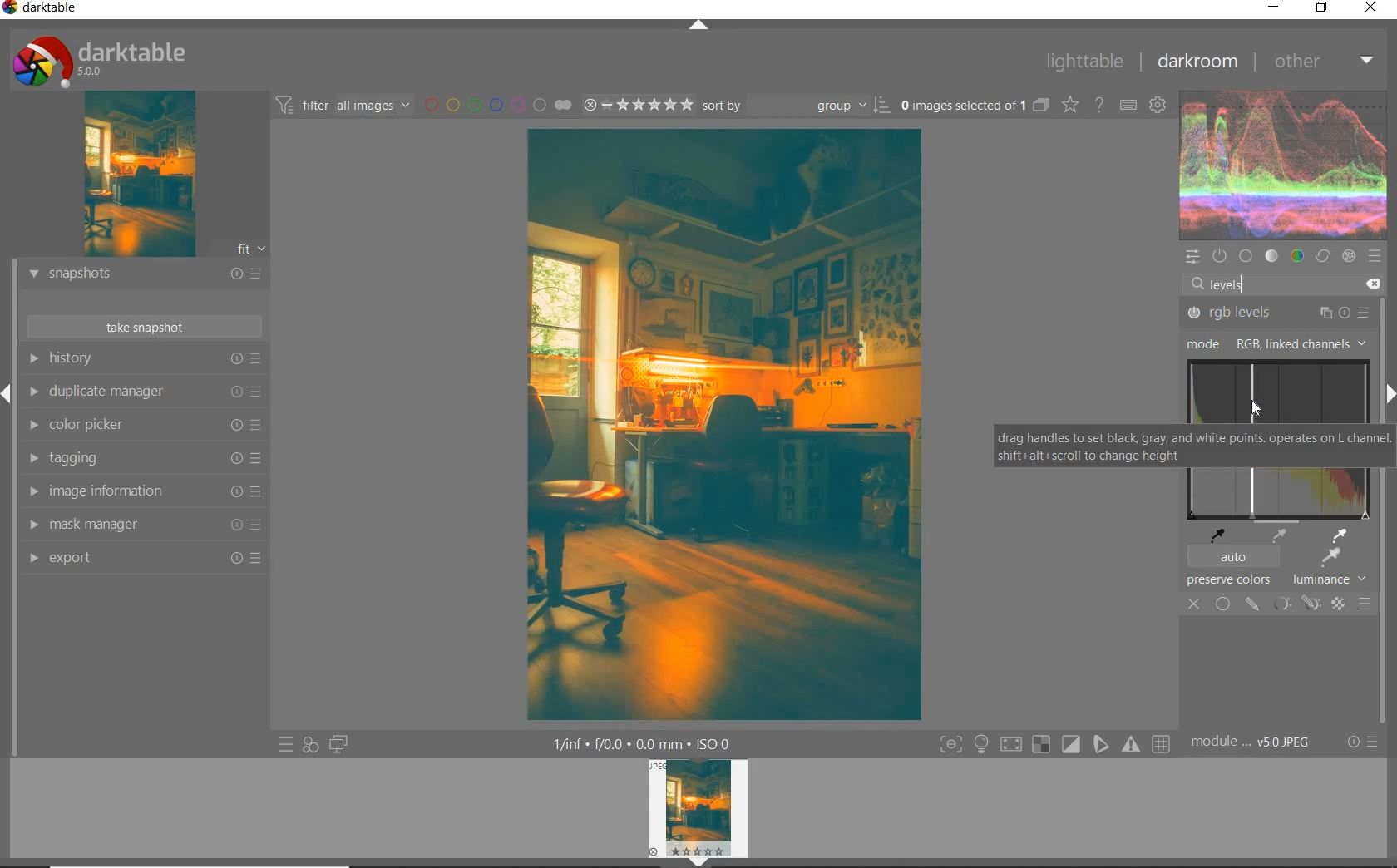  I want to click on show only active modules, so click(1219, 255).